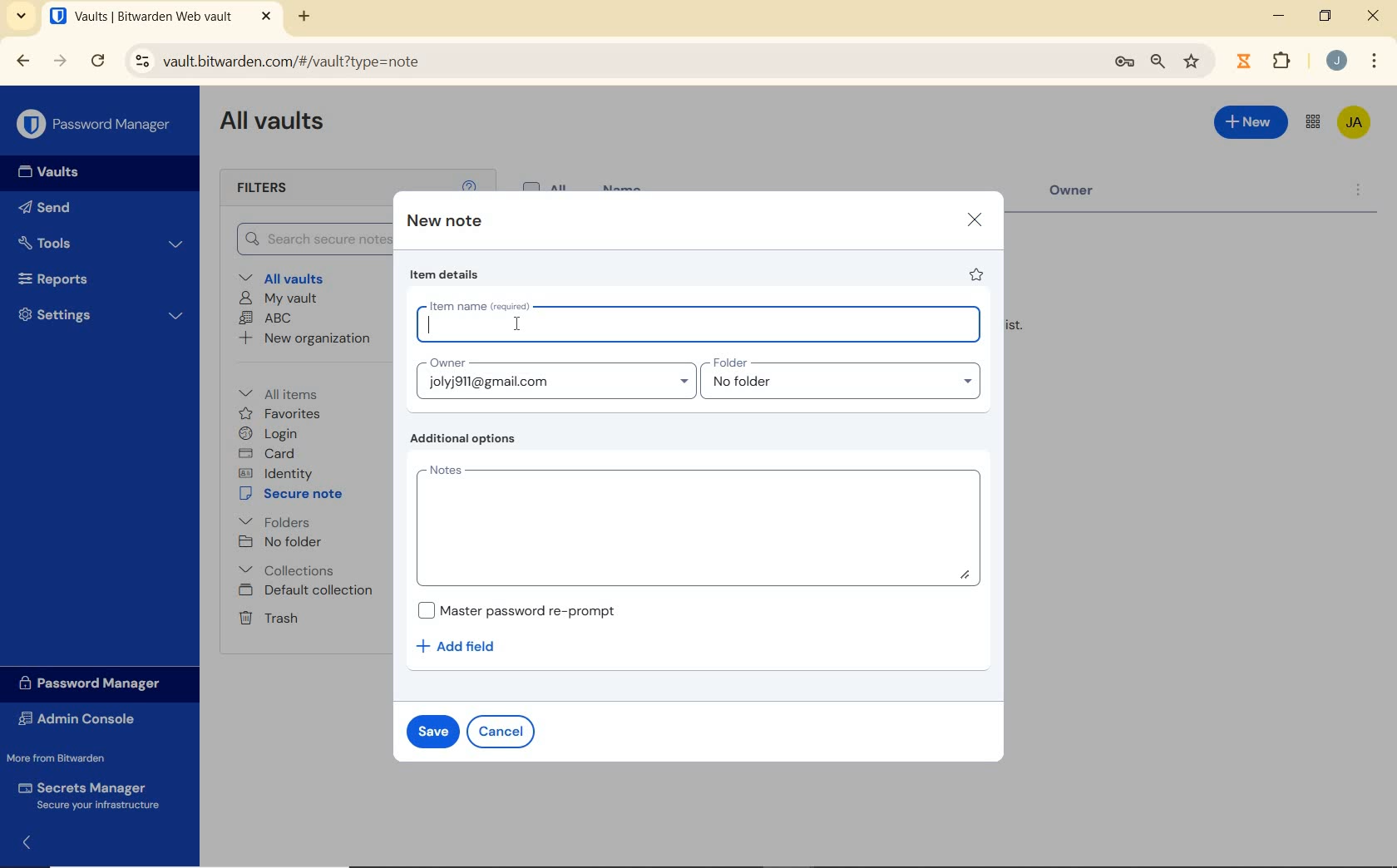 The width and height of the screenshot is (1397, 868). What do you see at coordinates (1373, 15) in the screenshot?
I see `close` at bounding box center [1373, 15].